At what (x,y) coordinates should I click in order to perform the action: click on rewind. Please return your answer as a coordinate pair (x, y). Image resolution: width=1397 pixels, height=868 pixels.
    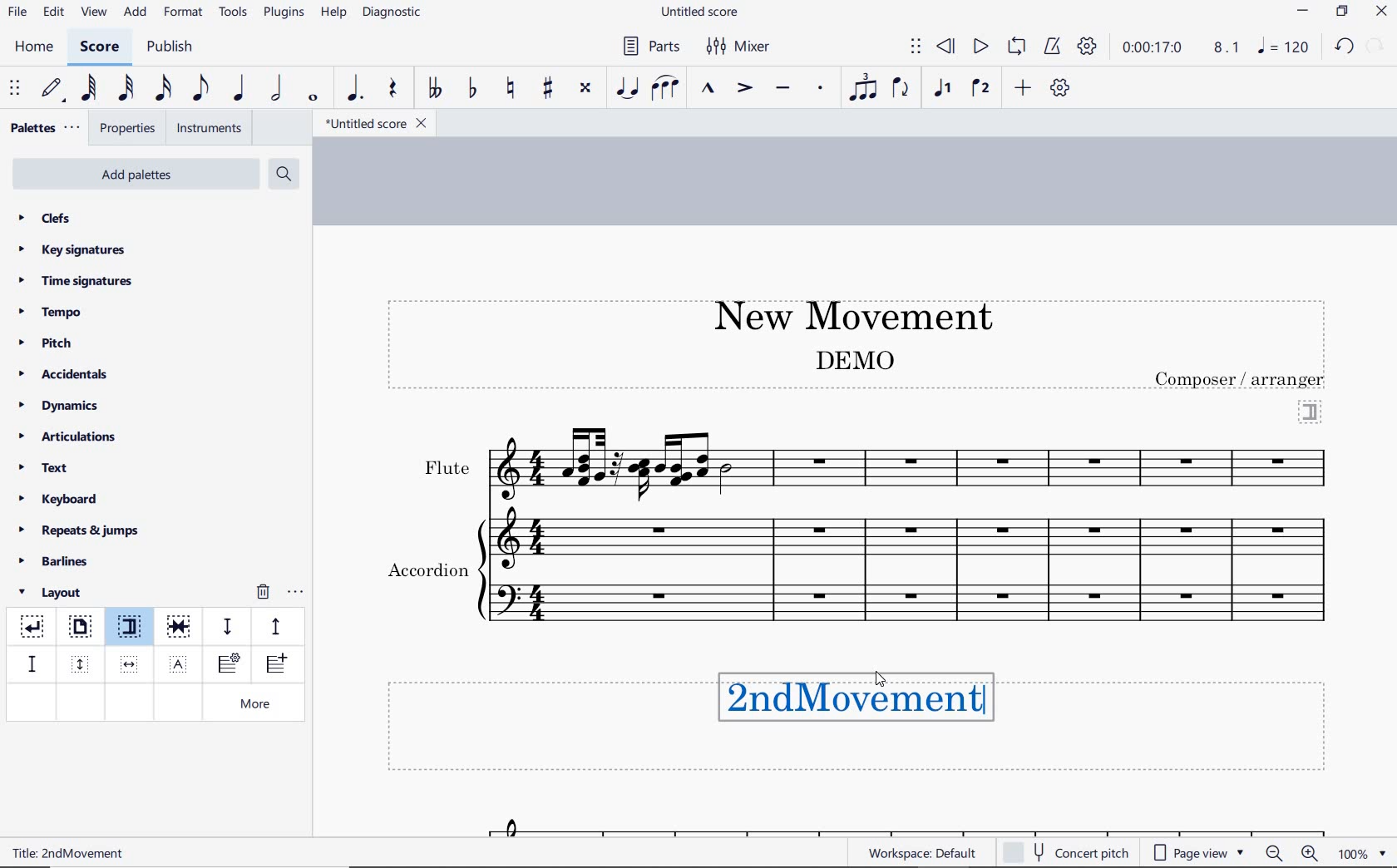
    Looking at the image, I should click on (947, 47).